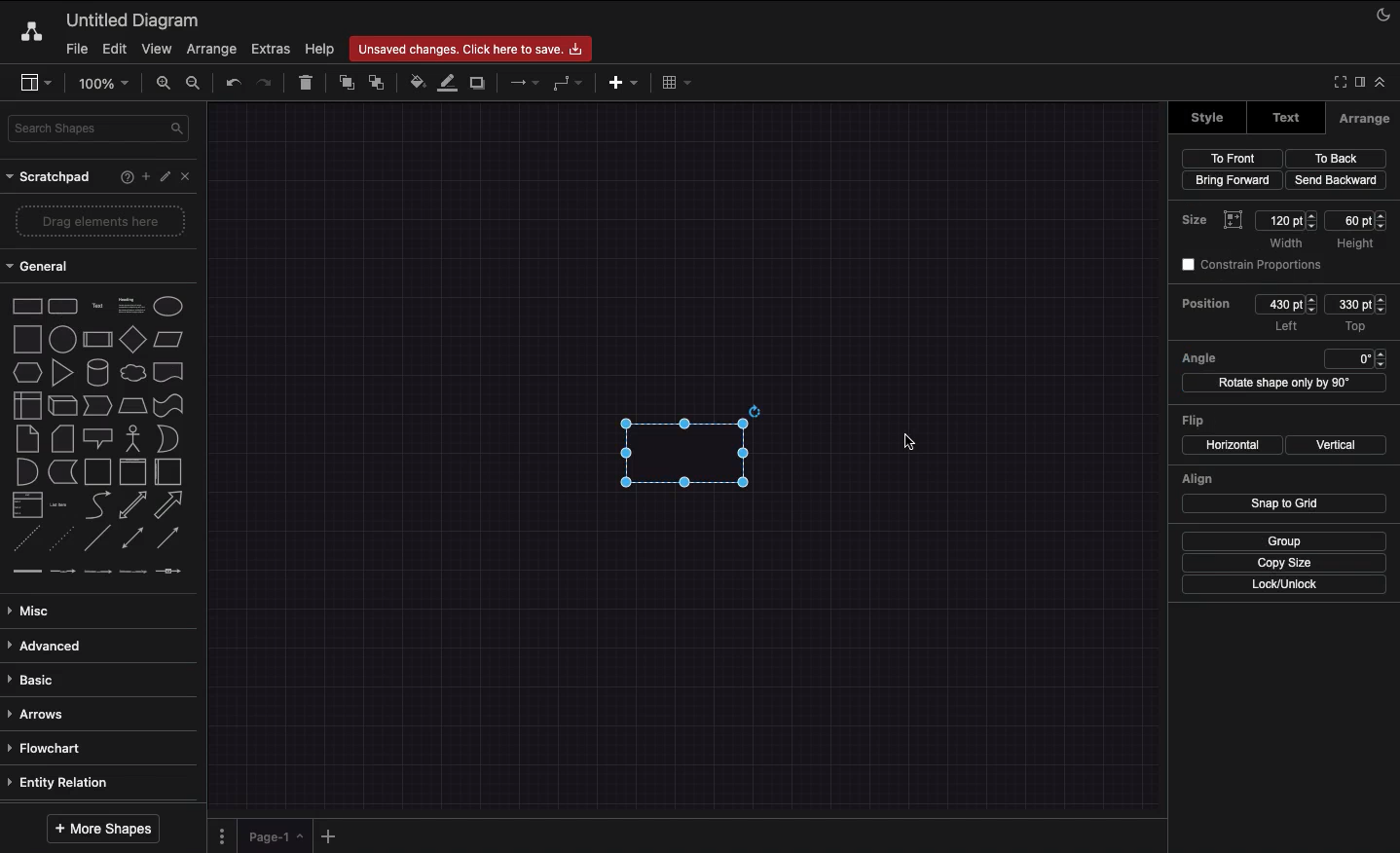 The width and height of the screenshot is (1400, 853). What do you see at coordinates (1286, 586) in the screenshot?
I see `Lock/unlock` at bounding box center [1286, 586].